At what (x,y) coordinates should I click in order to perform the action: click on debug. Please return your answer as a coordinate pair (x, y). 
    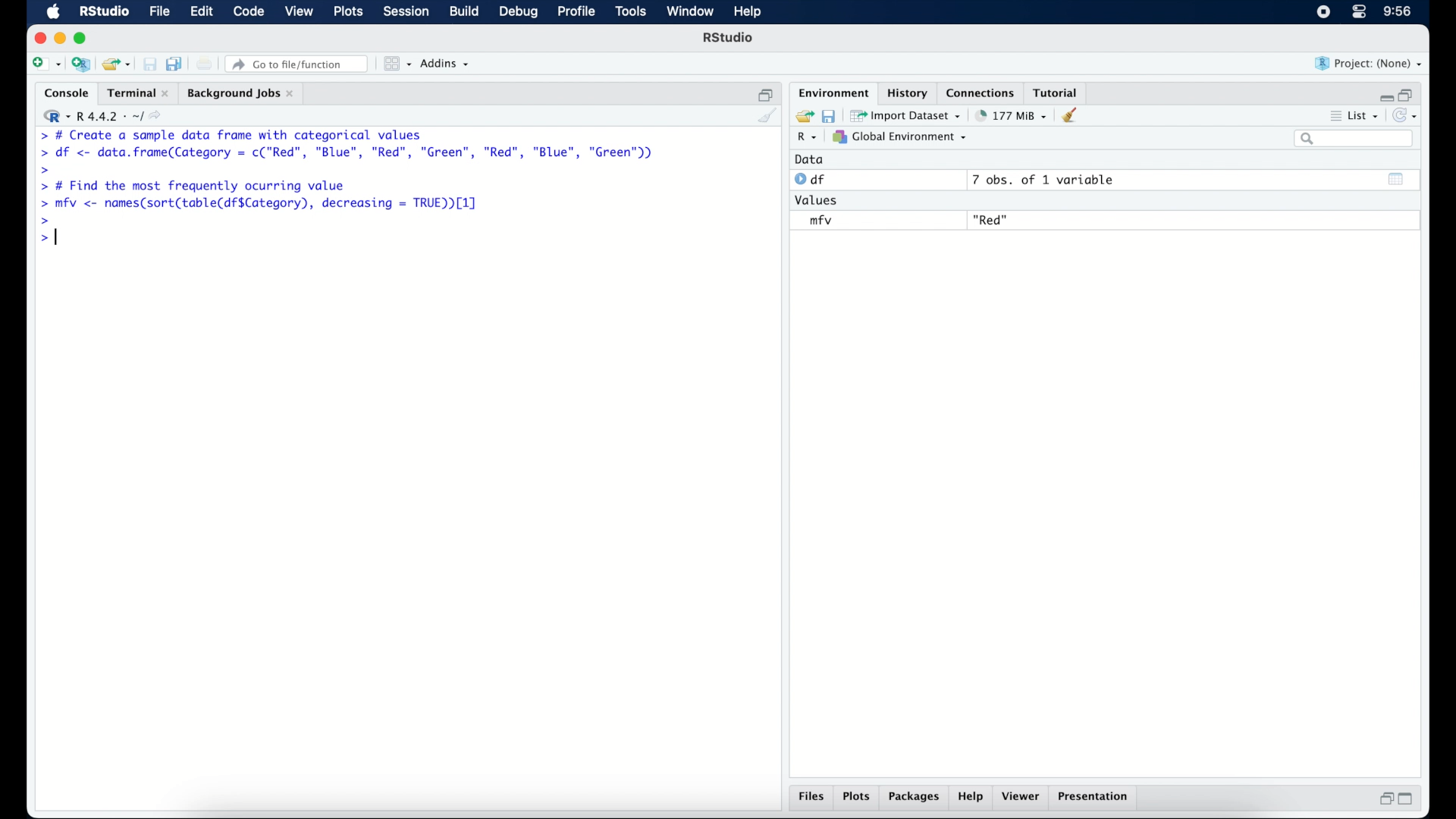
    Looking at the image, I should click on (517, 13).